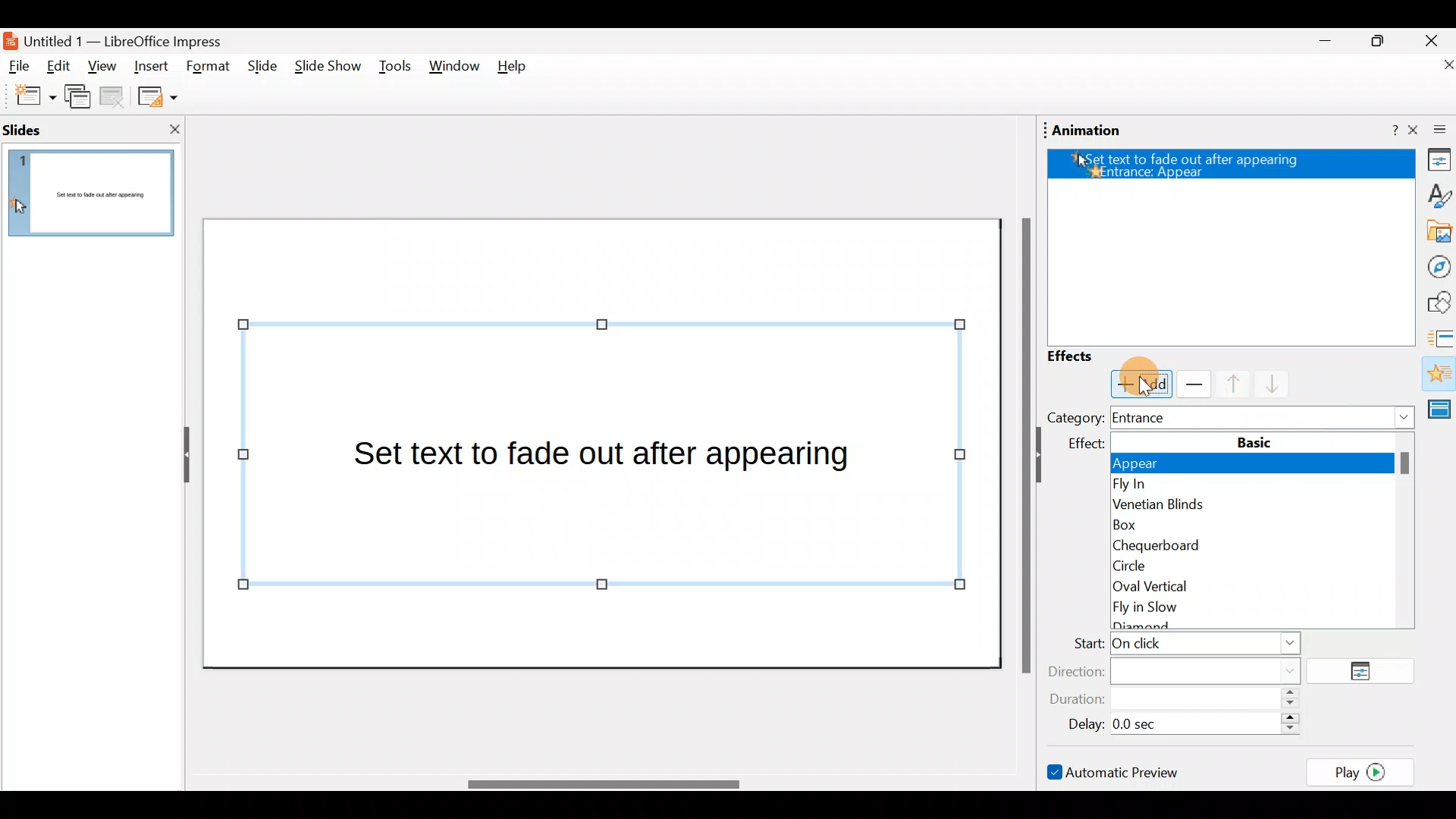 The height and width of the screenshot is (819, 1456). I want to click on Basic, so click(1255, 441).